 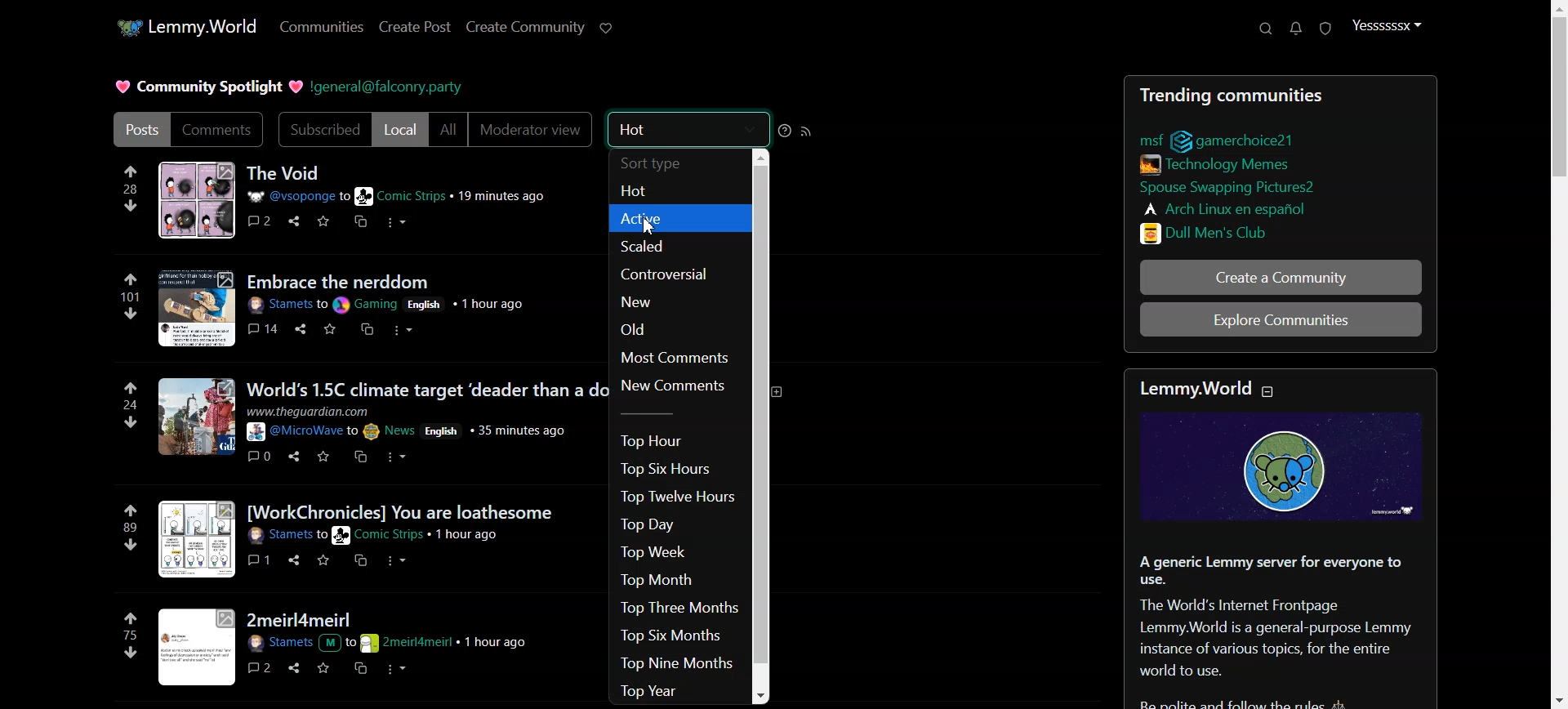 I want to click on more, so click(x=394, y=559).